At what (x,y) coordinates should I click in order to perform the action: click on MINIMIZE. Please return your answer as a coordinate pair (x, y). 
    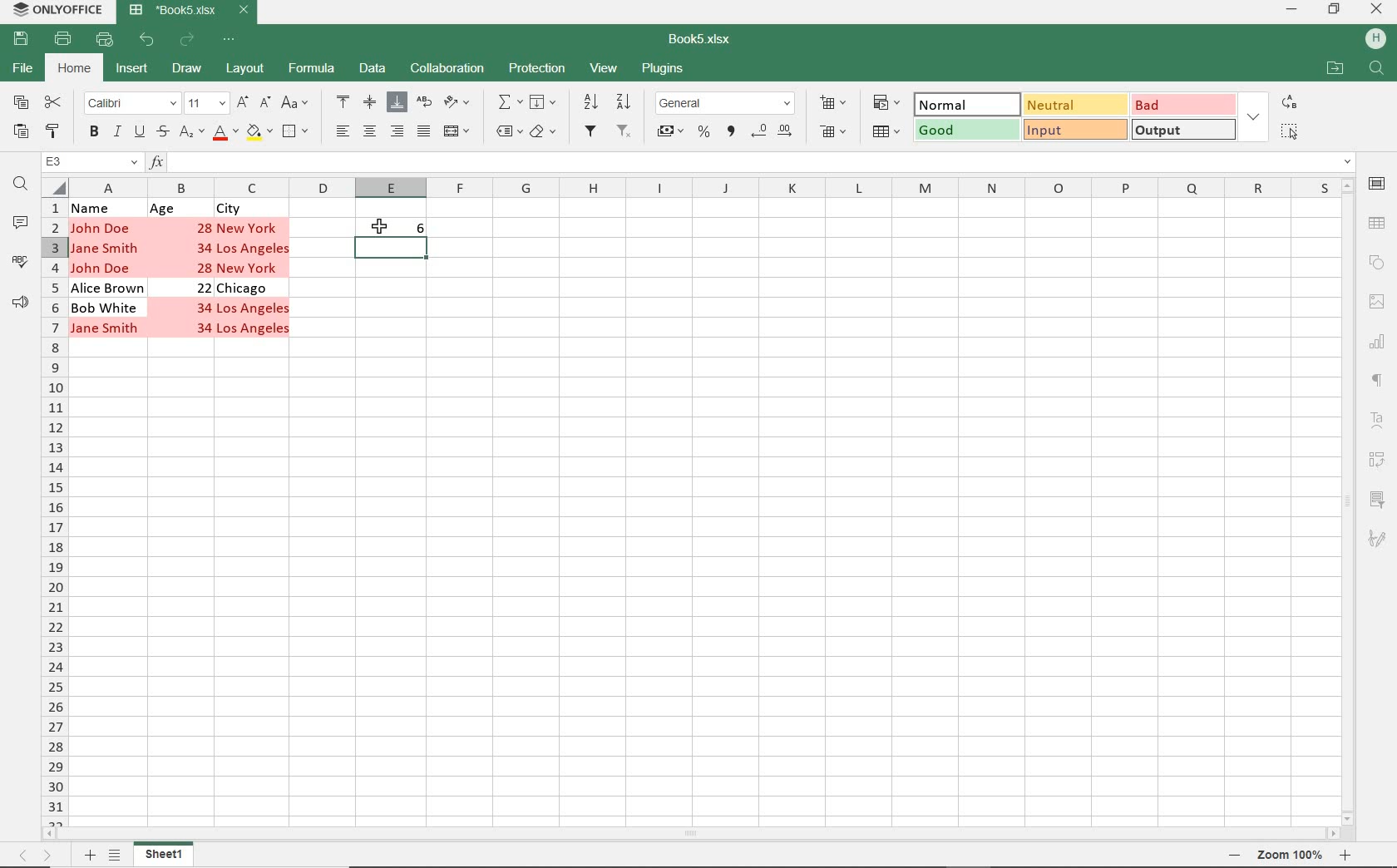
    Looking at the image, I should click on (1291, 8).